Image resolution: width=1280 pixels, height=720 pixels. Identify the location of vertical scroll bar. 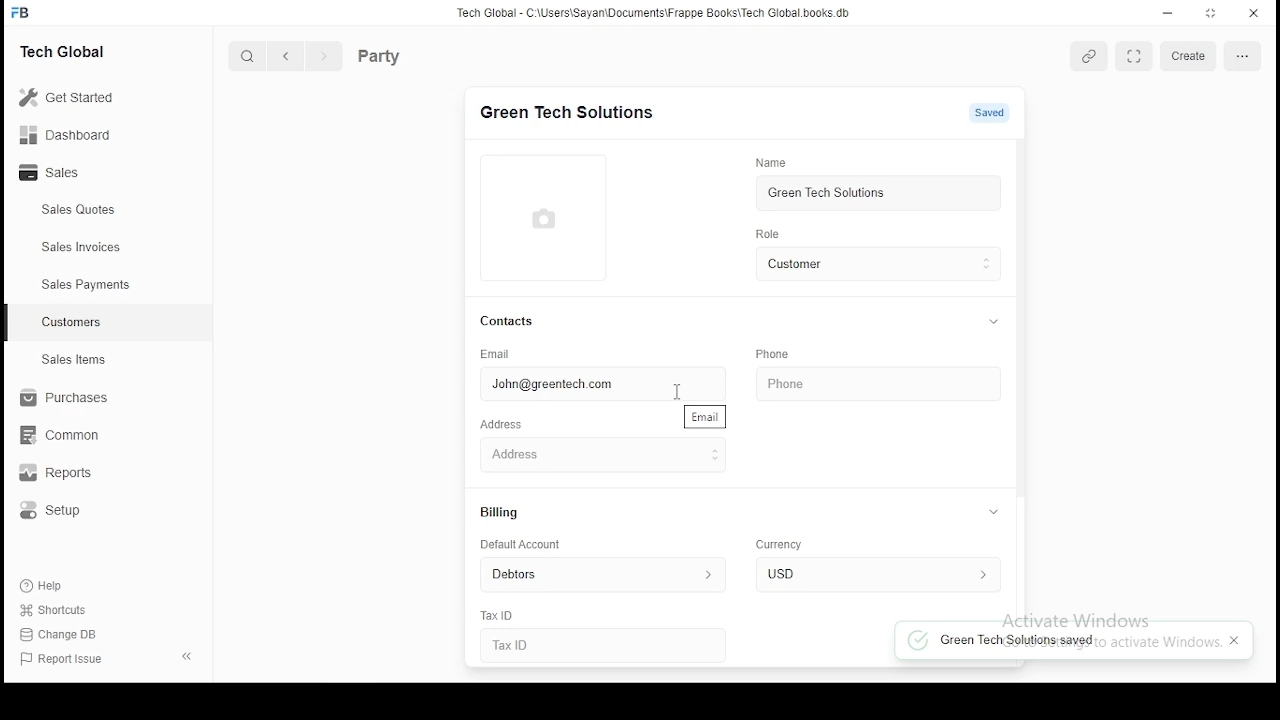
(1019, 320).